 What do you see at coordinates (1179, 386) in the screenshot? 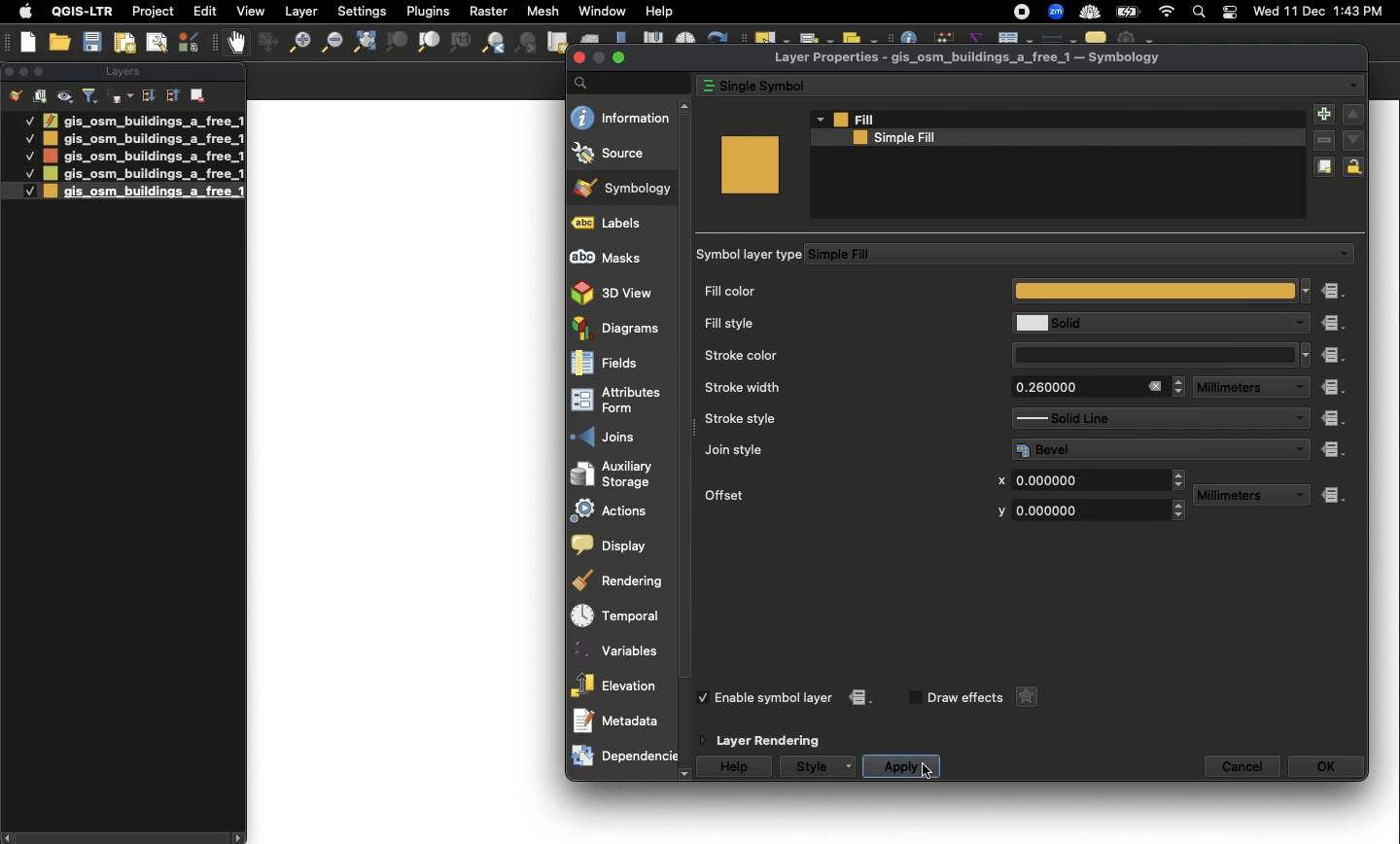
I see `Drop down` at bounding box center [1179, 386].